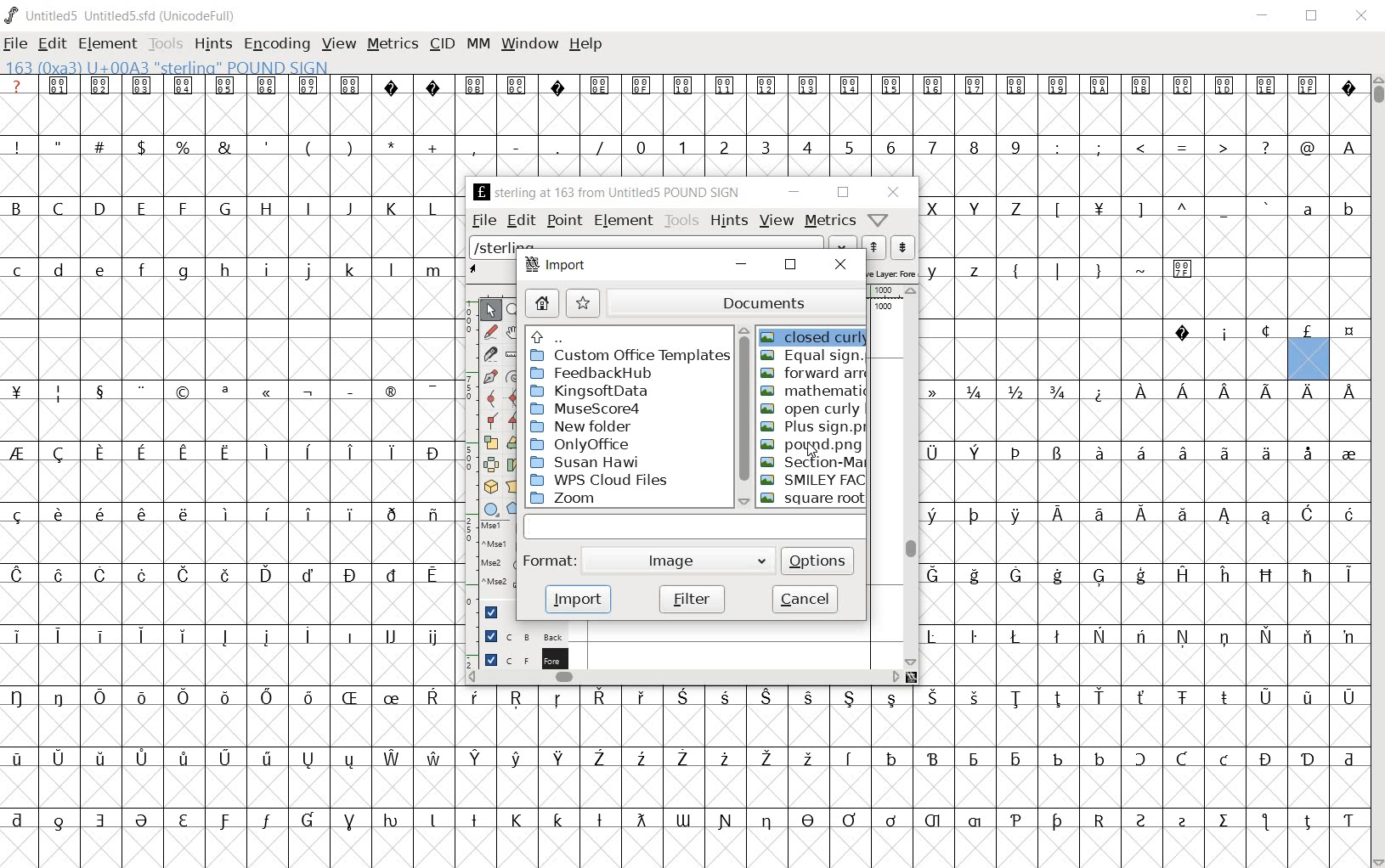 Image resolution: width=1385 pixels, height=868 pixels. What do you see at coordinates (144, 147) in the screenshot?
I see `$` at bounding box center [144, 147].